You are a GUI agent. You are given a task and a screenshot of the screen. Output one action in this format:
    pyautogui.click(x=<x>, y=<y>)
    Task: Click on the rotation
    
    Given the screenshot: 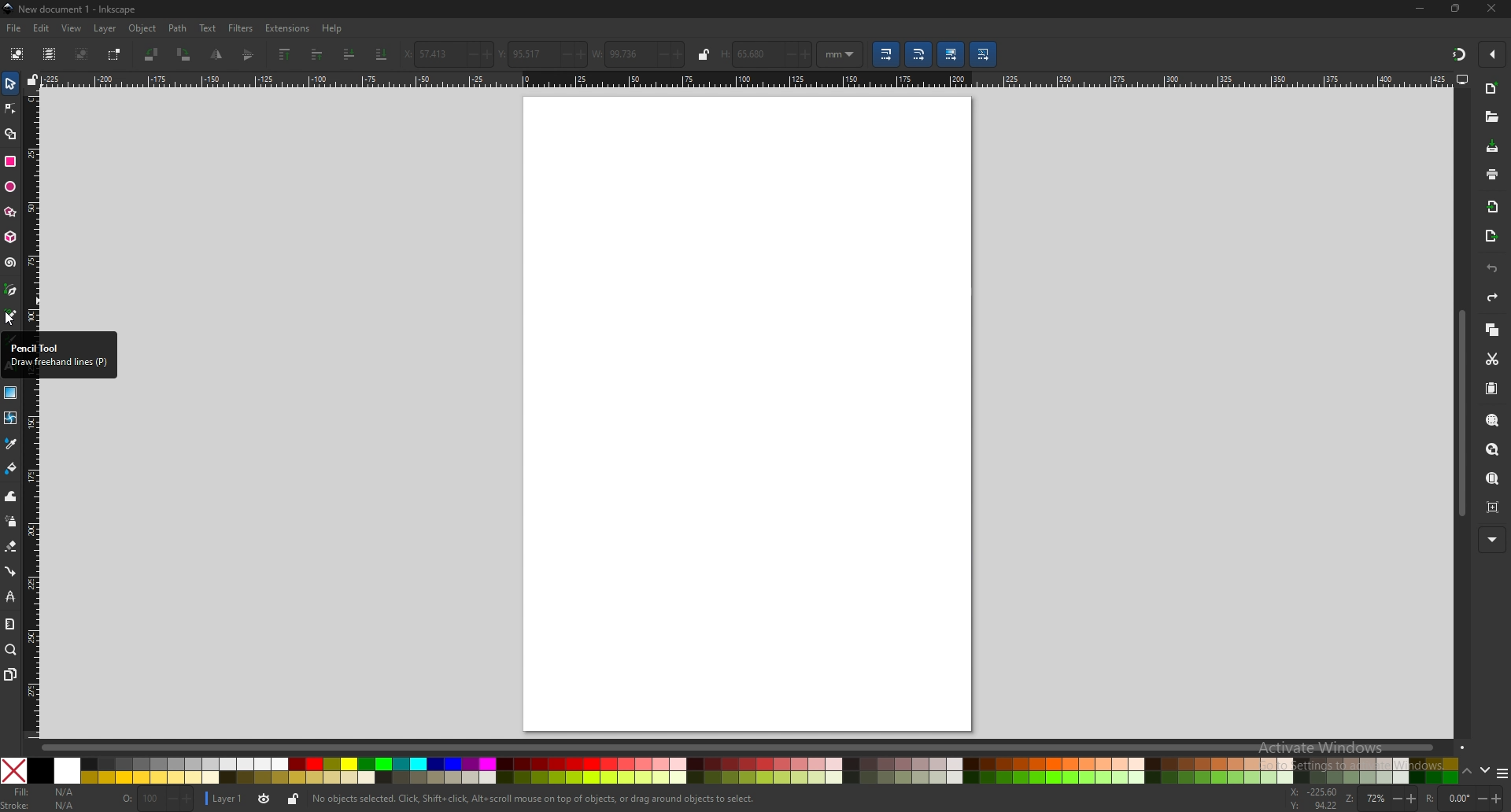 What is the action you would take?
    pyautogui.click(x=1461, y=795)
    